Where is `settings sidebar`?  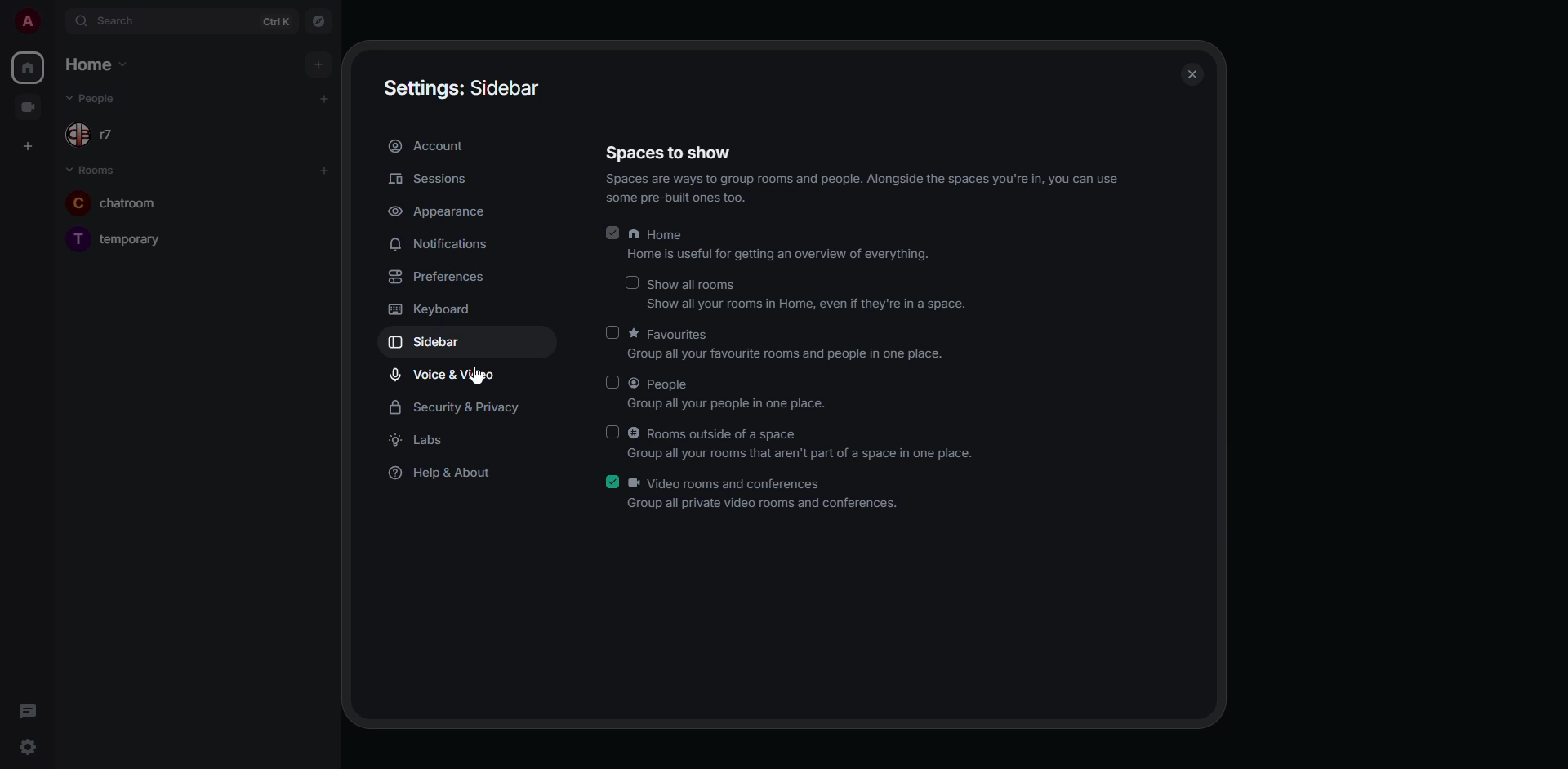 settings sidebar is located at coordinates (461, 84).